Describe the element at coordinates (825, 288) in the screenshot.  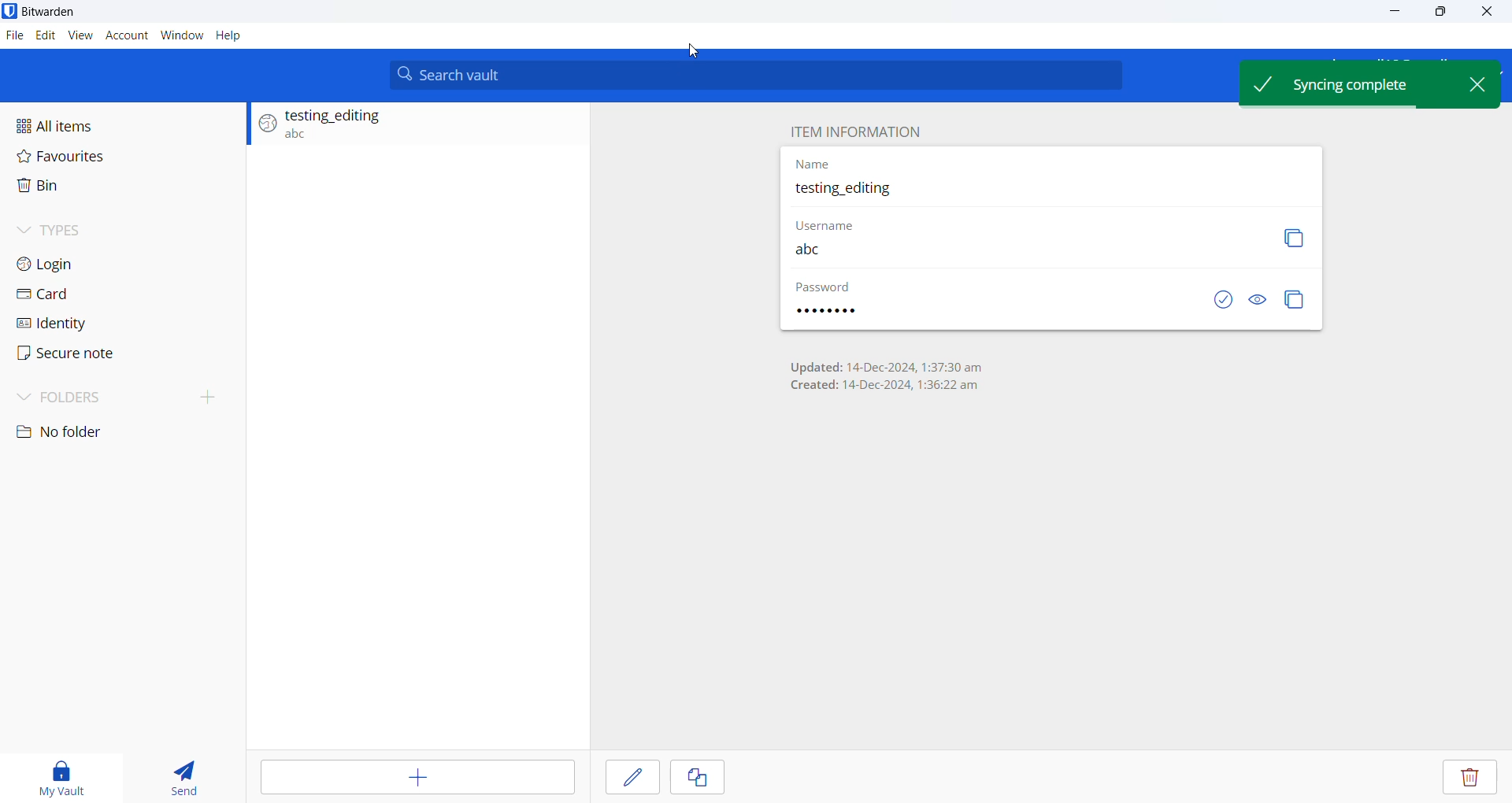
I see `Password hidden` at that location.